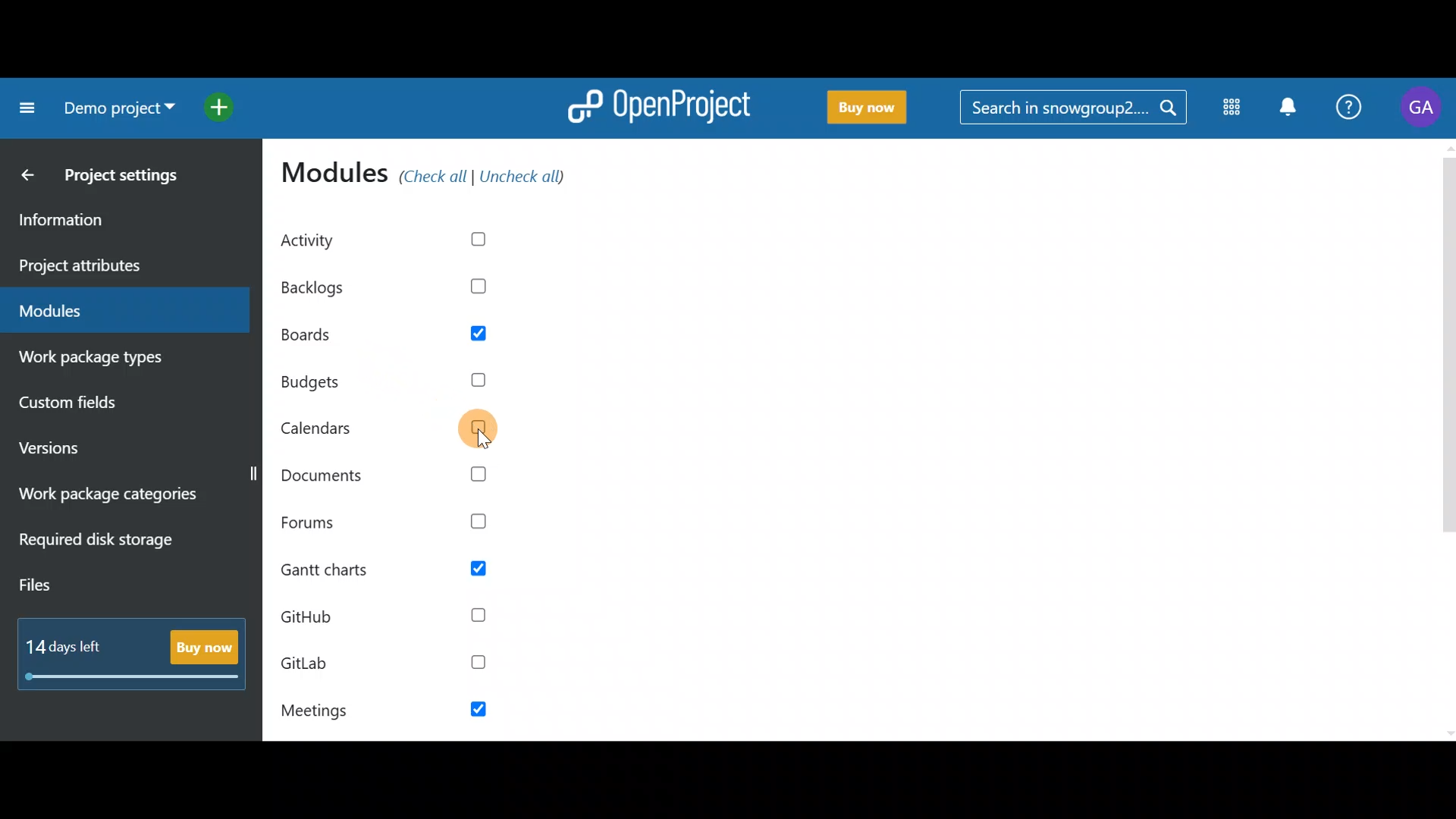  Describe the element at coordinates (391, 525) in the screenshot. I see `Forums` at that location.